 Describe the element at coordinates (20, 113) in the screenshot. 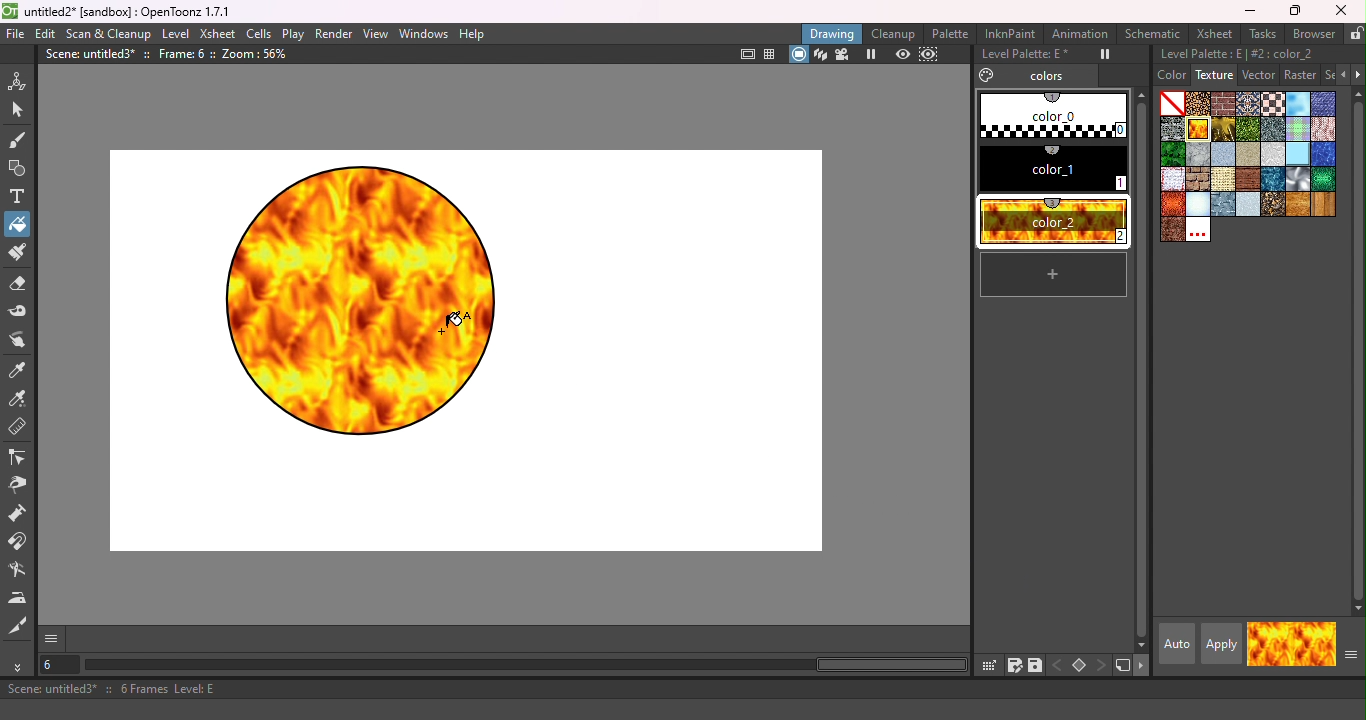

I see `Selection tool` at that location.